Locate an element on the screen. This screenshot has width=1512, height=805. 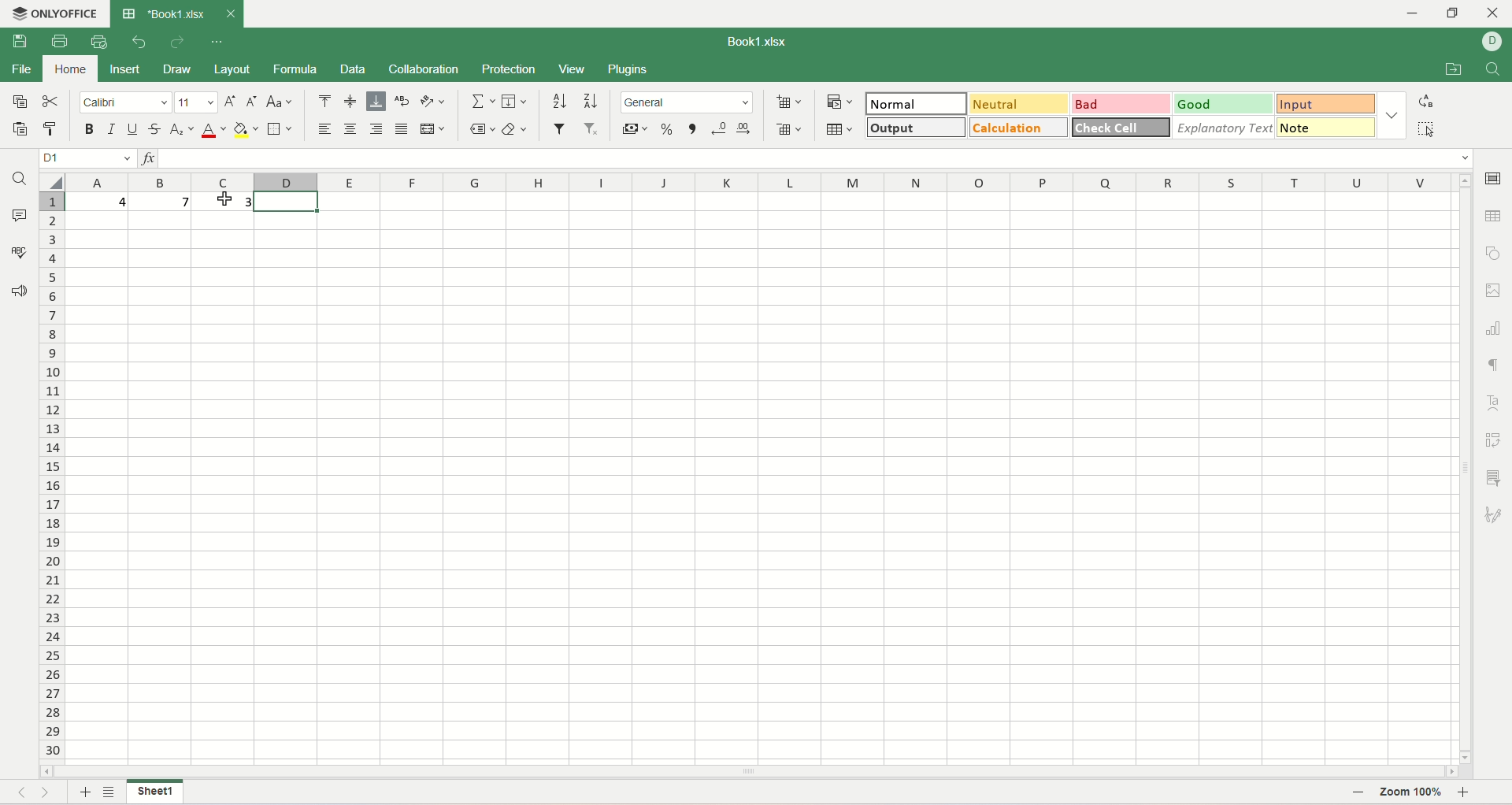
feedback and support is located at coordinates (19, 294).